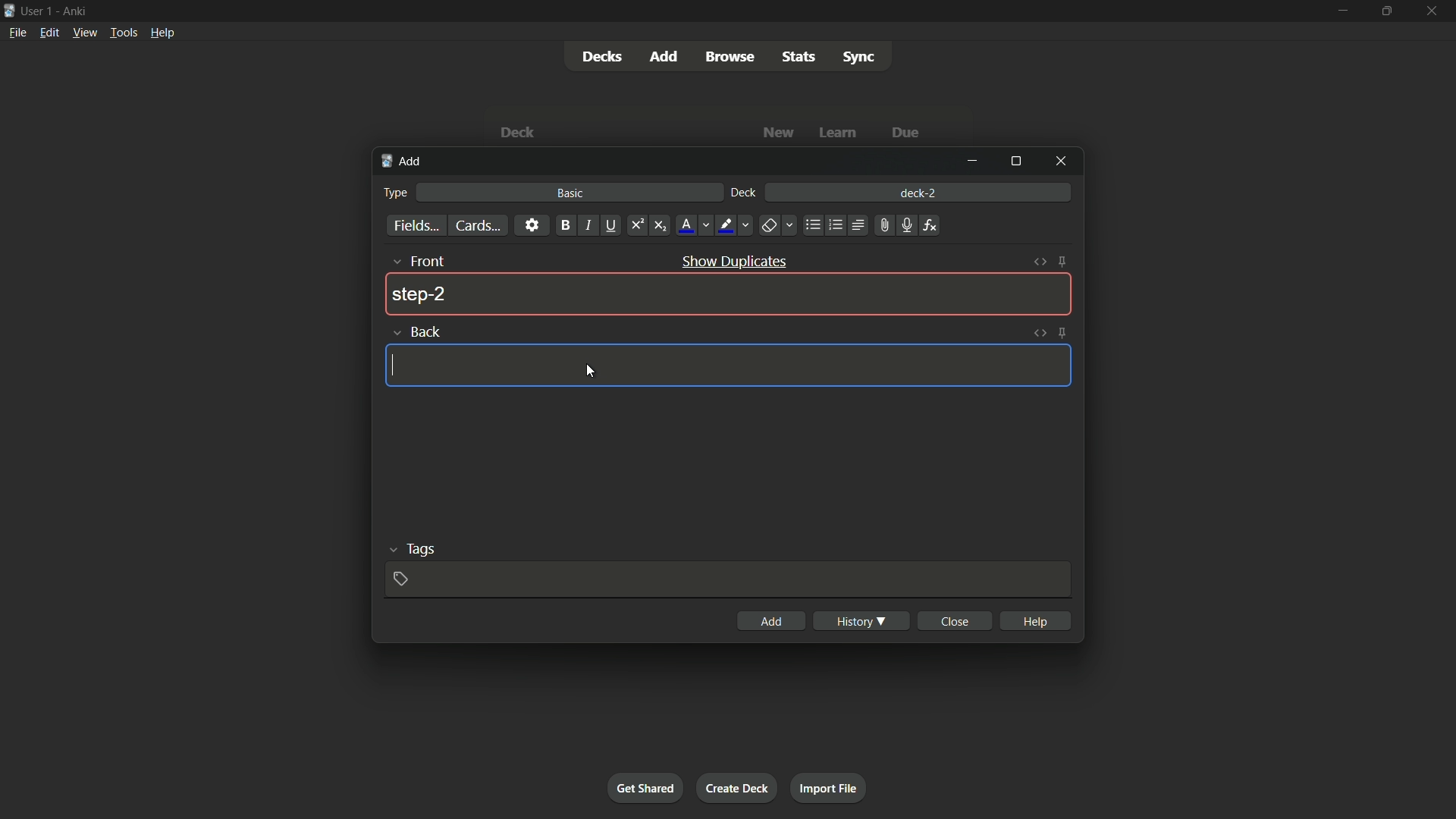  What do you see at coordinates (8, 11) in the screenshot?
I see `app icon` at bounding box center [8, 11].